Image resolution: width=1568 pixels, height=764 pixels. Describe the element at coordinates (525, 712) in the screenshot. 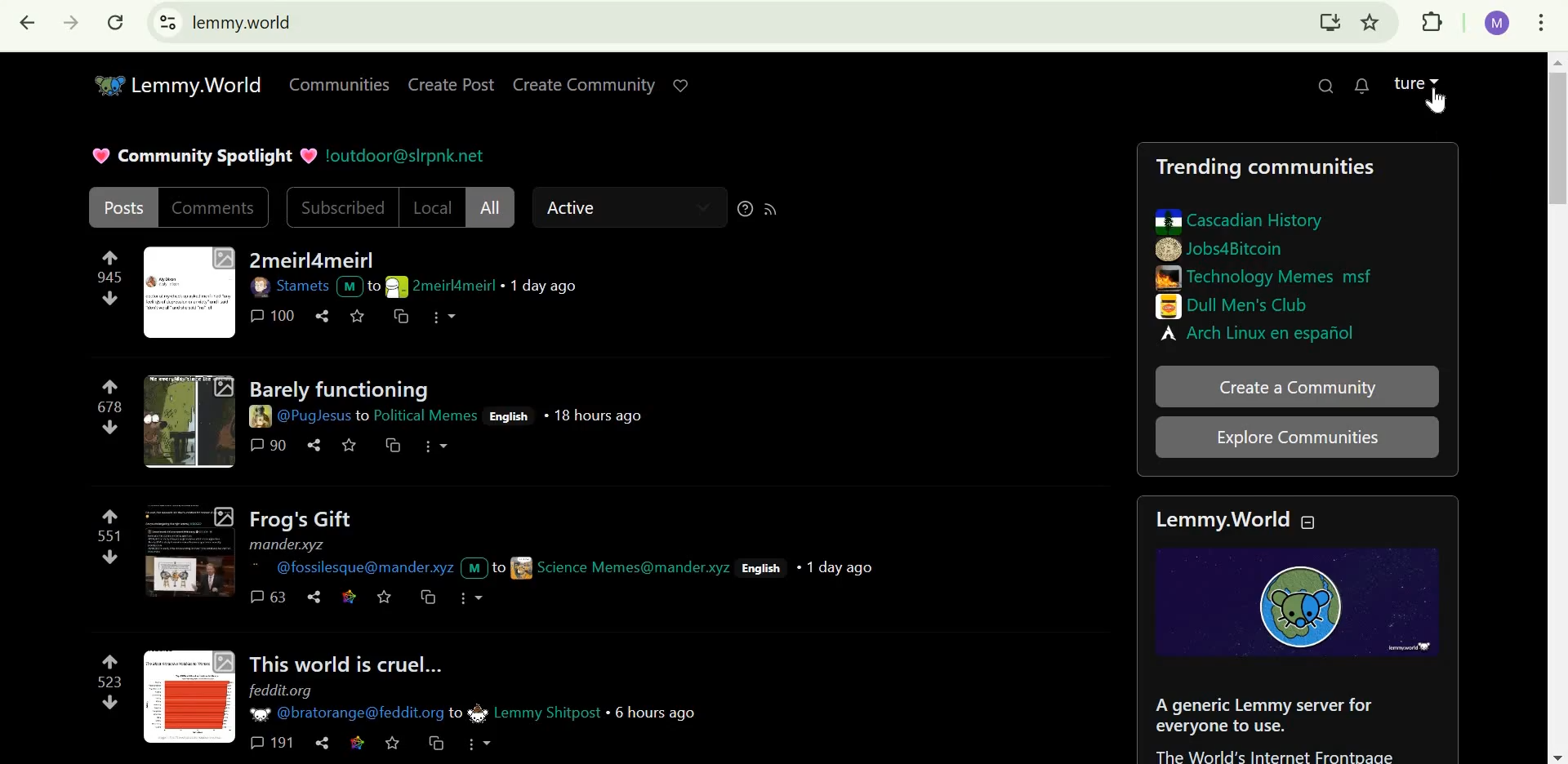

I see `community name` at that location.